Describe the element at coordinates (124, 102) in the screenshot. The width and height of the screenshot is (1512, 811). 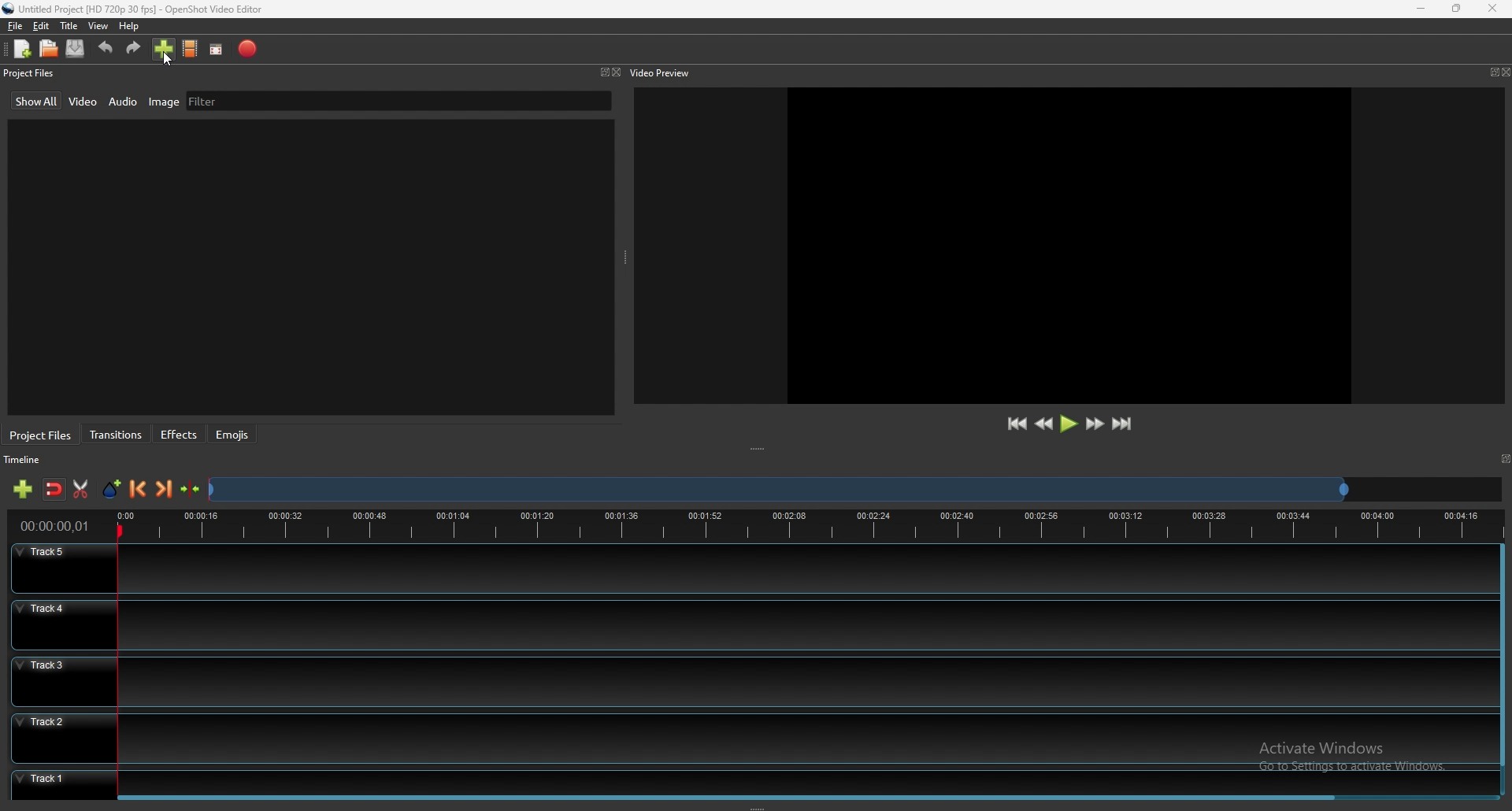
I see `audio` at that location.